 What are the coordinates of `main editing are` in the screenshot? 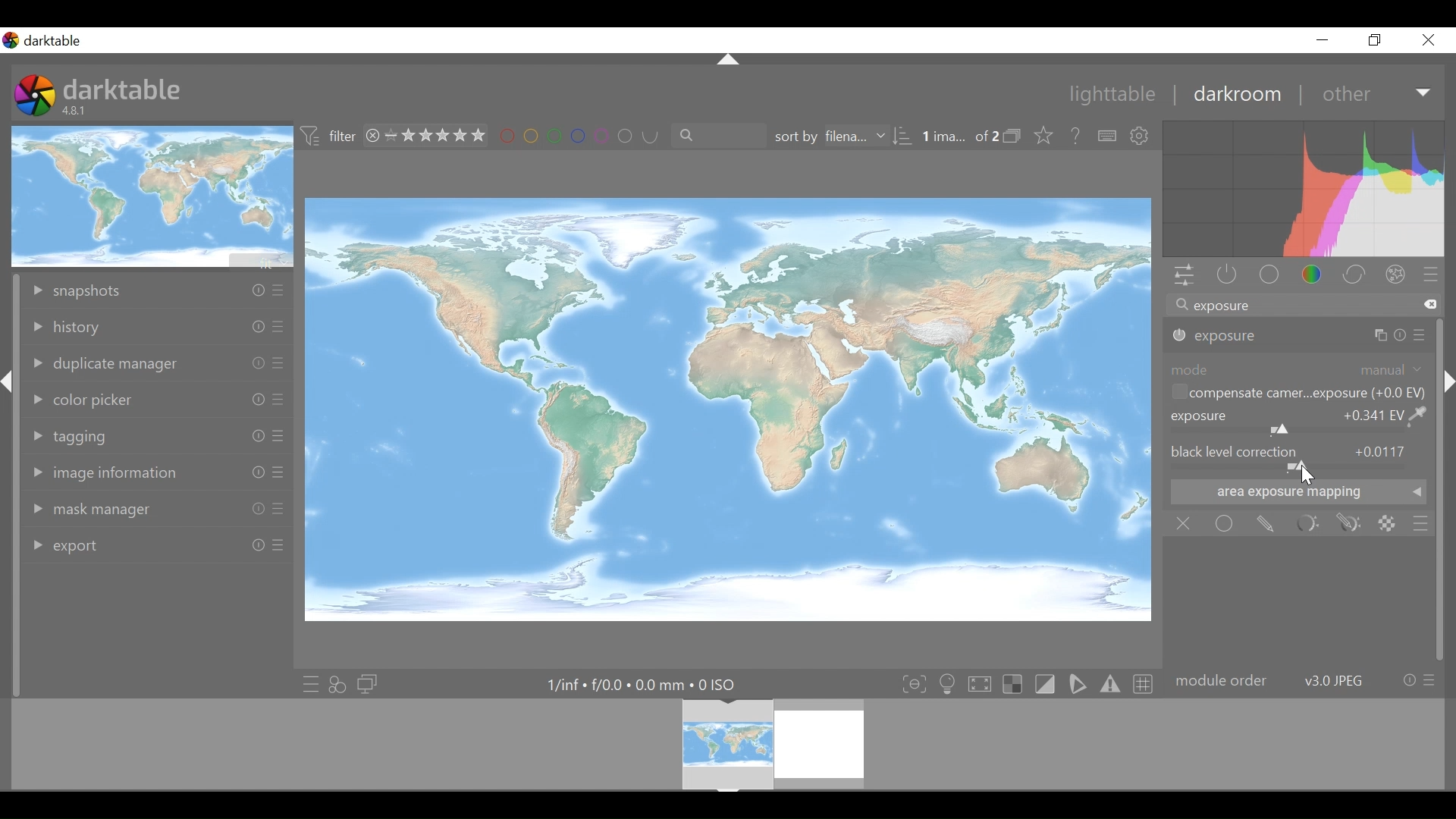 It's located at (730, 409).